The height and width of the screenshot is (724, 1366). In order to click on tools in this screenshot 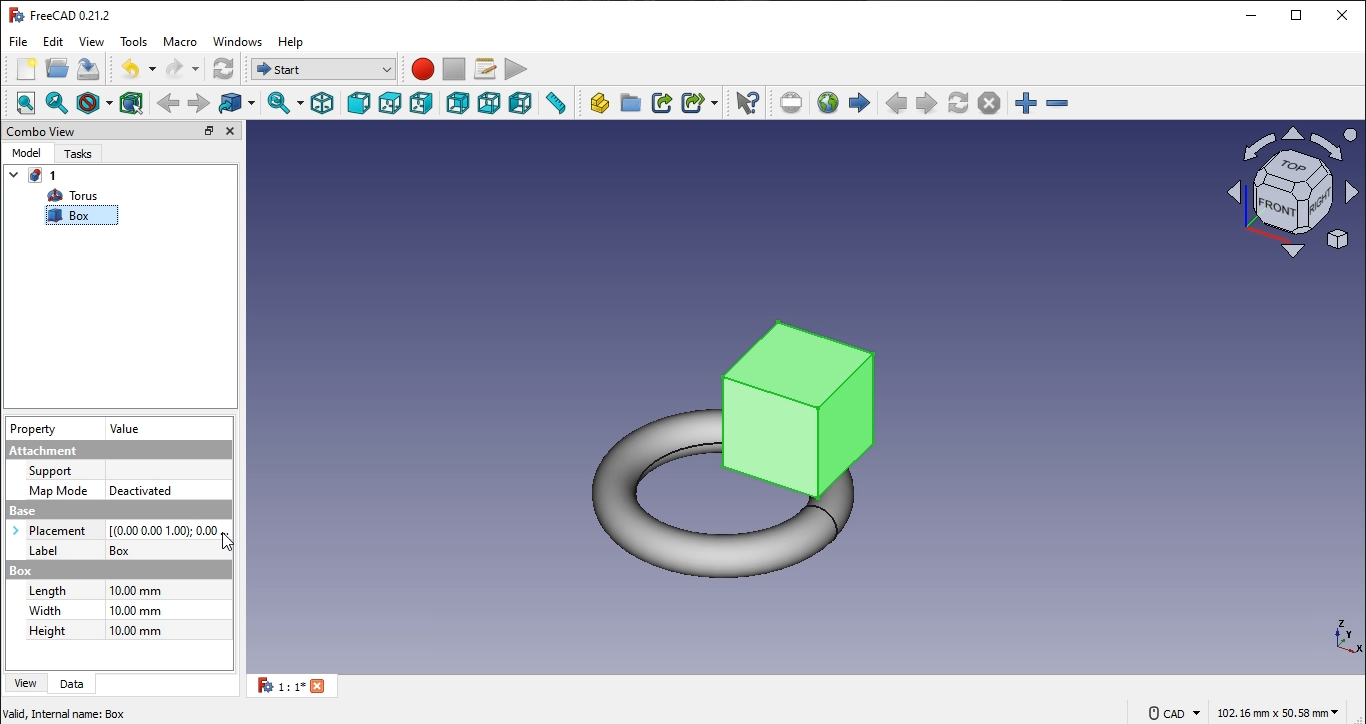, I will do `click(133, 40)`.